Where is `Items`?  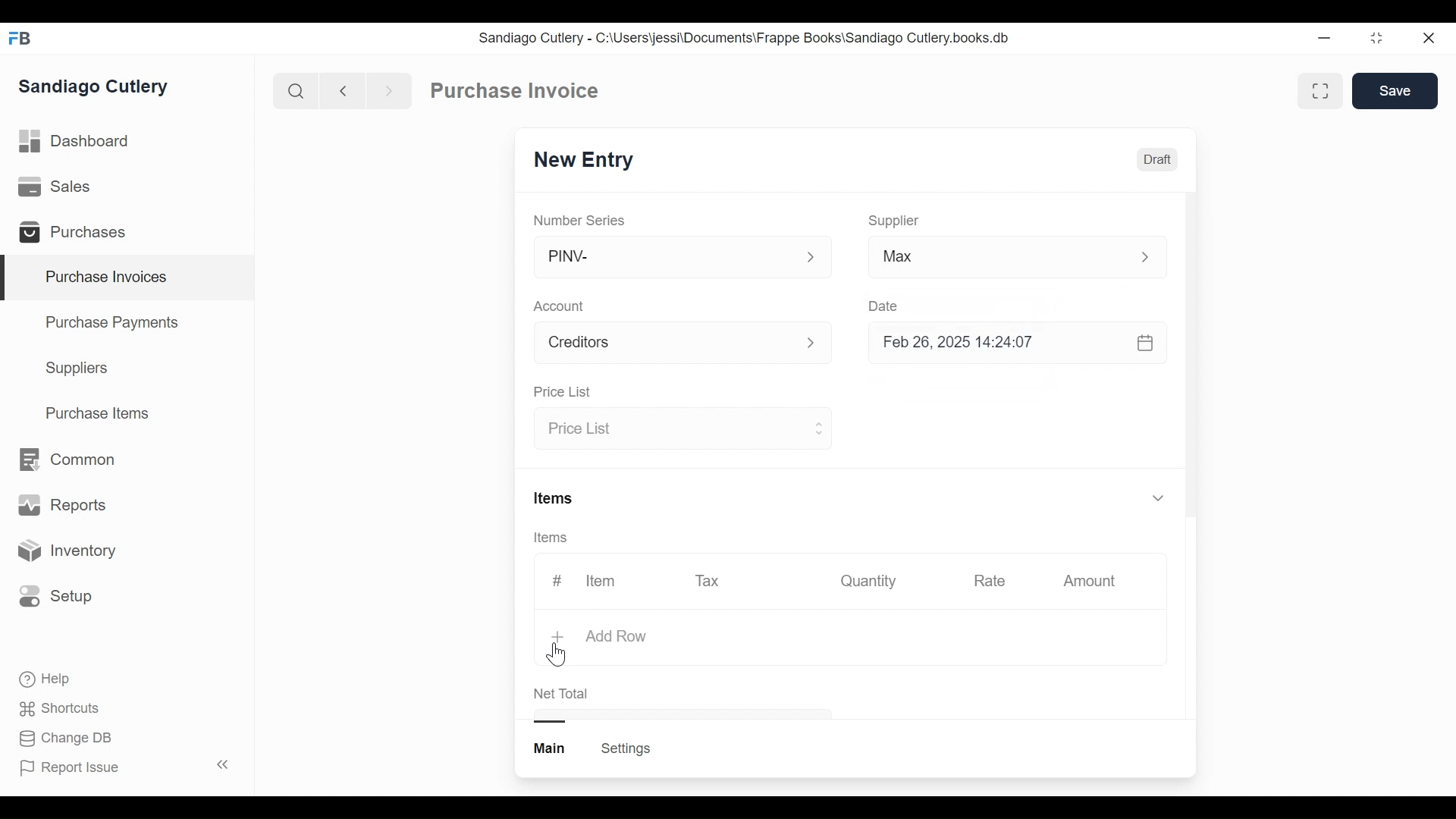 Items is located at coordinates (555, 500).